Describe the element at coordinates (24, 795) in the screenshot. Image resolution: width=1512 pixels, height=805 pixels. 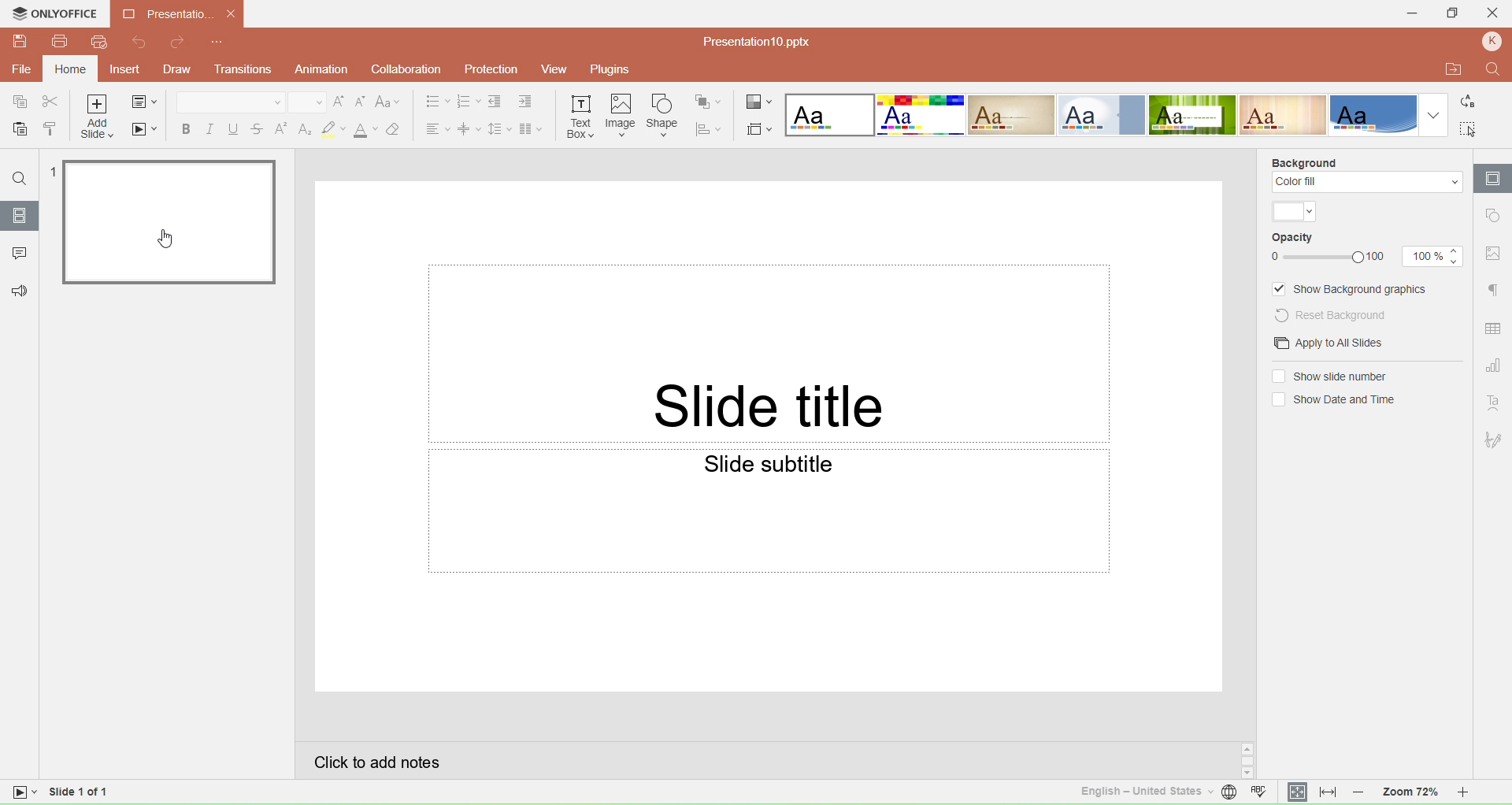
I see `` at that location.